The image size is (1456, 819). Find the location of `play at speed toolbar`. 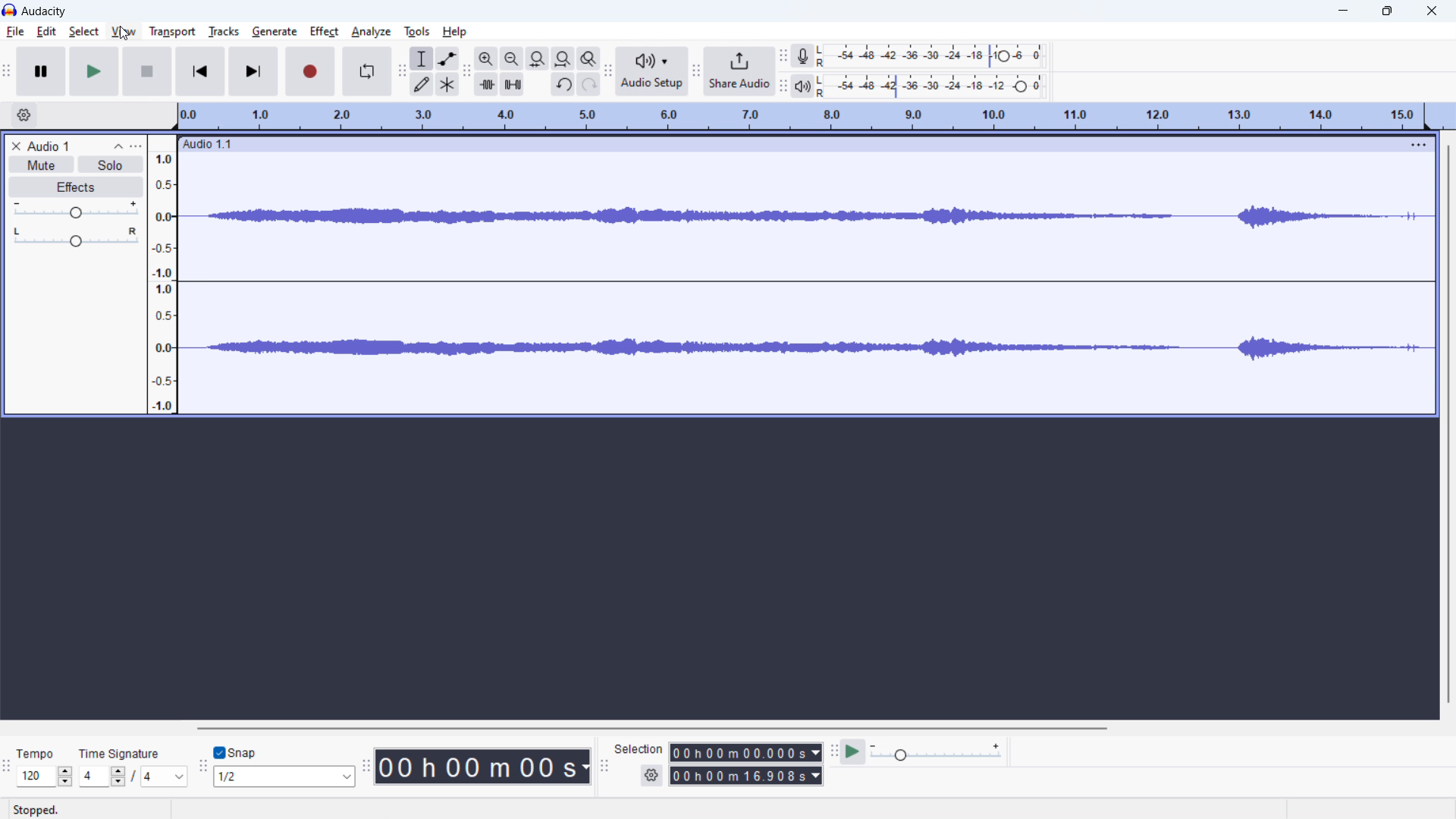

play at speed toolbar is located at coordinates (832, 751).